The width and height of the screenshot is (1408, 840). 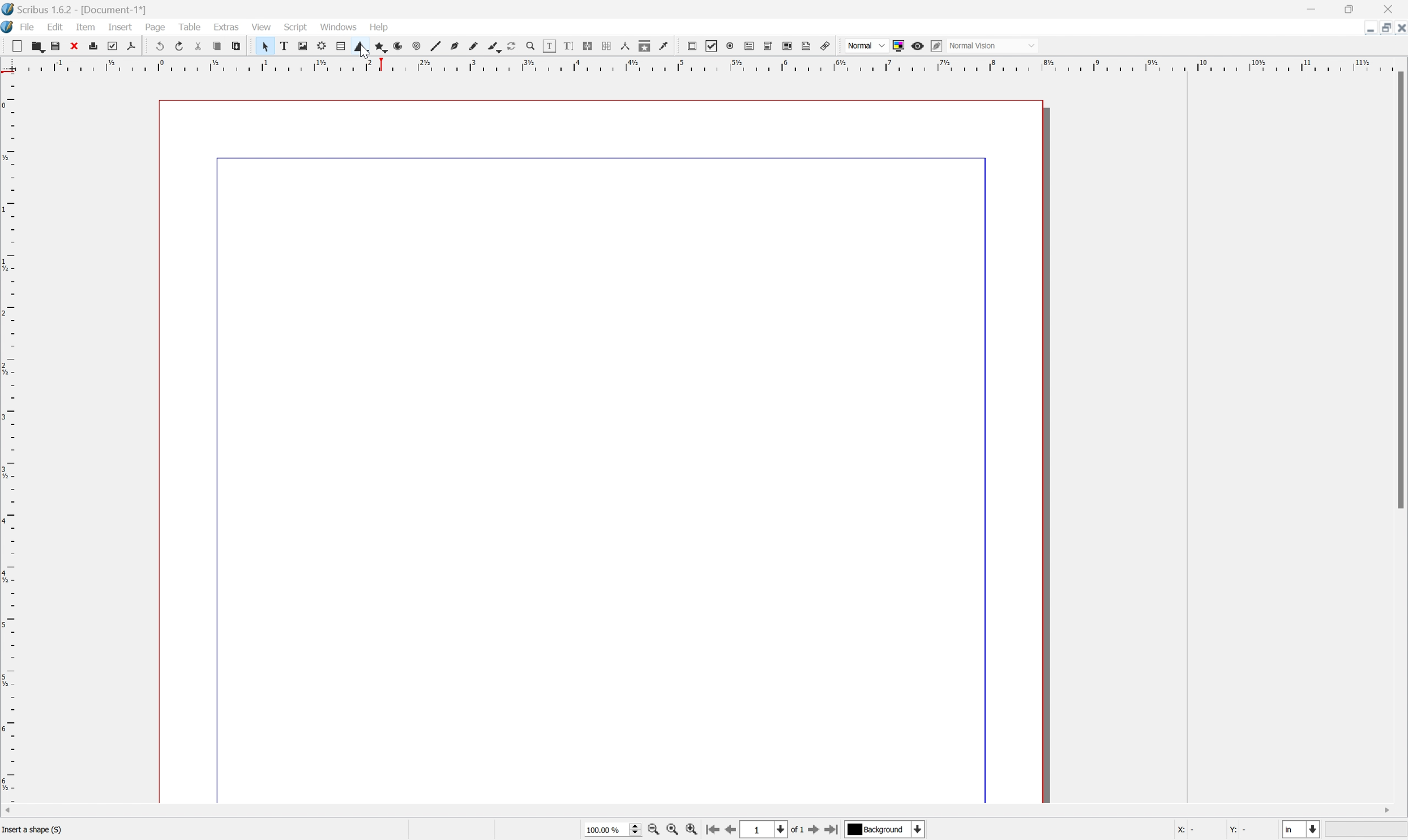 What do you see at coordinates (338, 25) in the screenshot?
I see `Windows` at bounding box center [338, 25].